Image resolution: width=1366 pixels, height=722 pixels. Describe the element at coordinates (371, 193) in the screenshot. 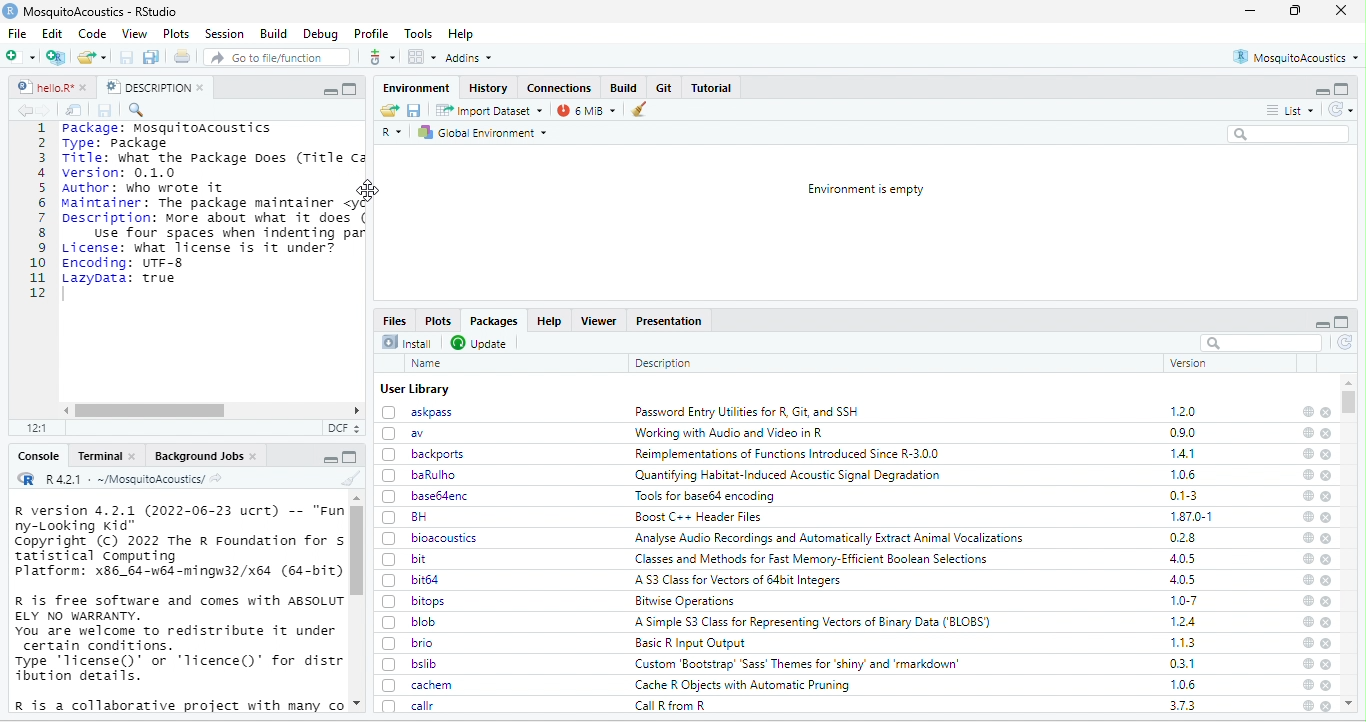

I see `cursor` at that location.